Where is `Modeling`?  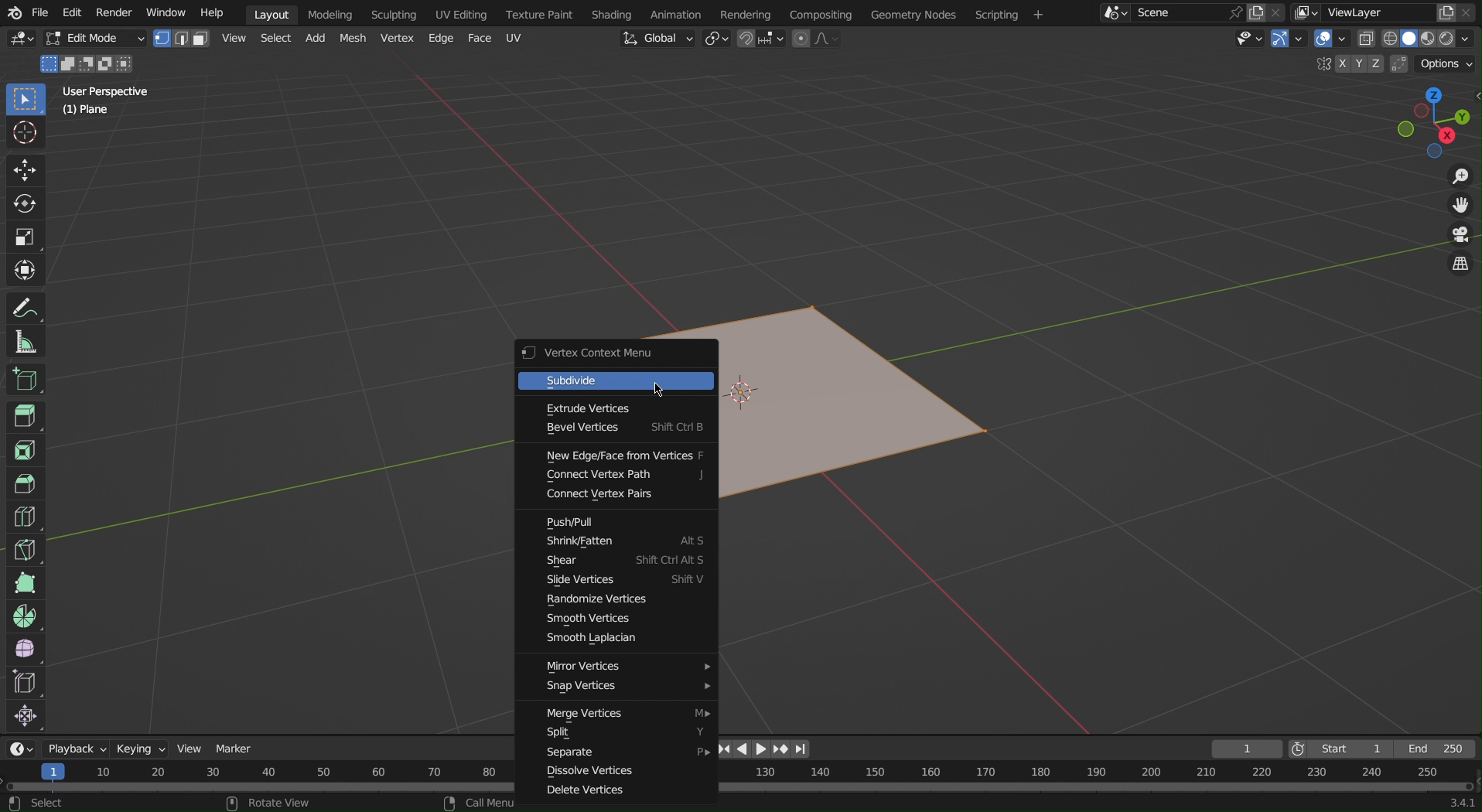
Modeling is located at coordinates (330, 13).